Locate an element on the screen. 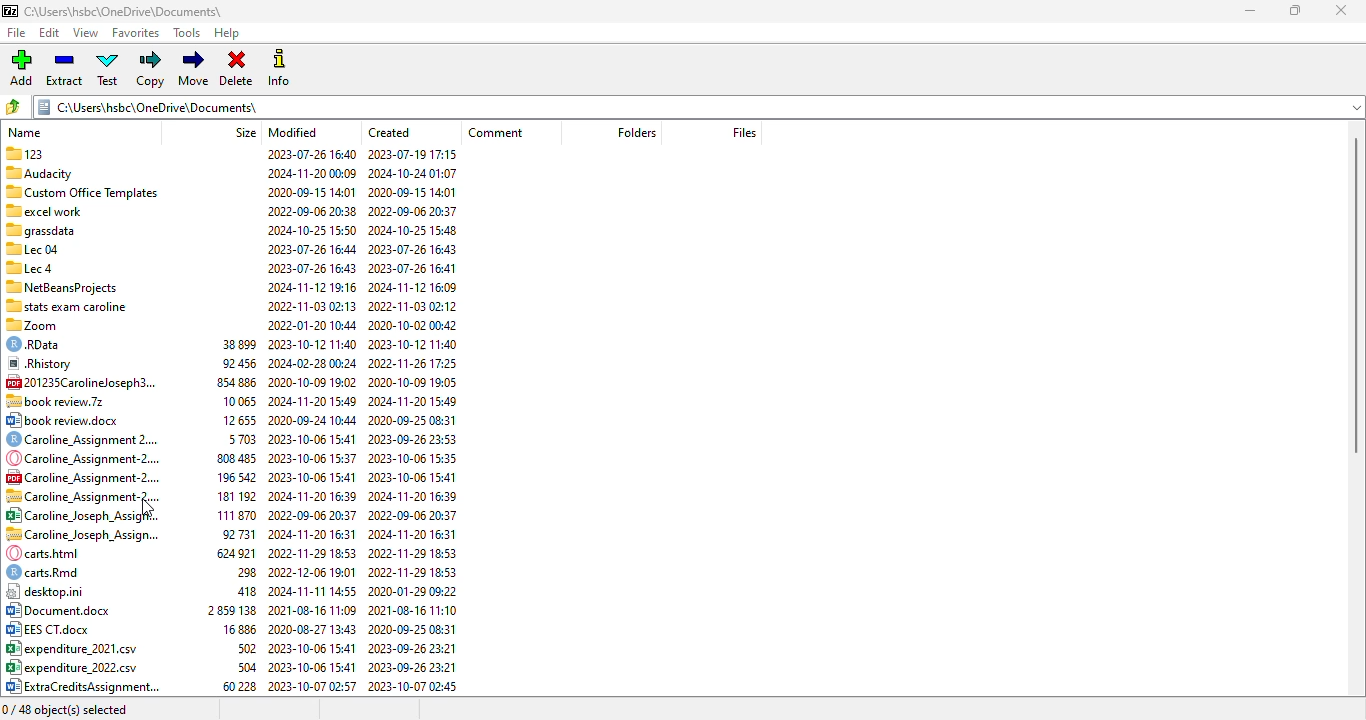 Image resolution: width=1366 pixels, height=720 pixels. 8° expenditure_2022.csv 504 2023-10-06 15:41 2023-09-26 23:21 is located at coordinates (231, 667).